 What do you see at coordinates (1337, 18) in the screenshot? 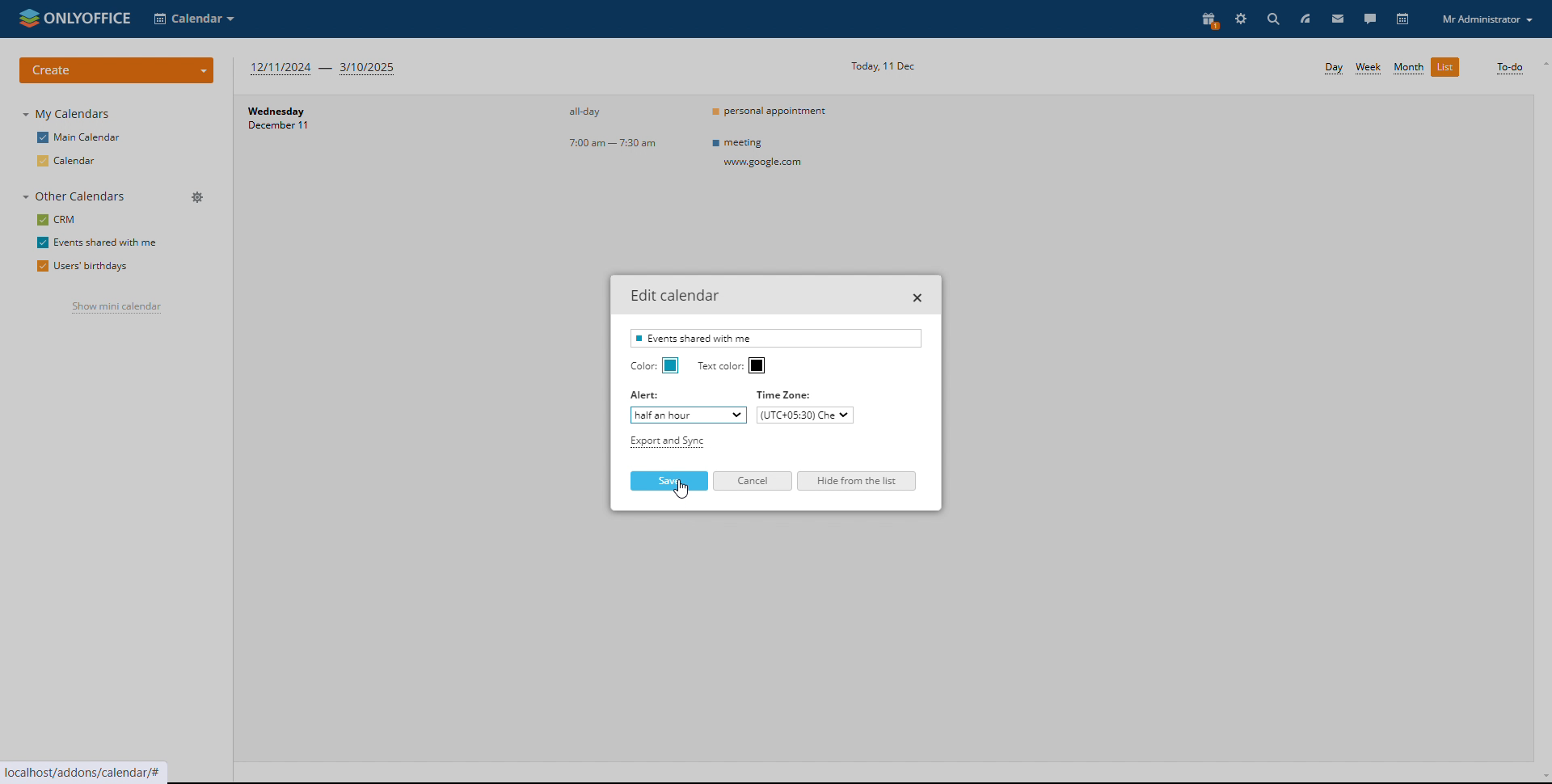
I see `mail` at bounding box center [1337, 18].